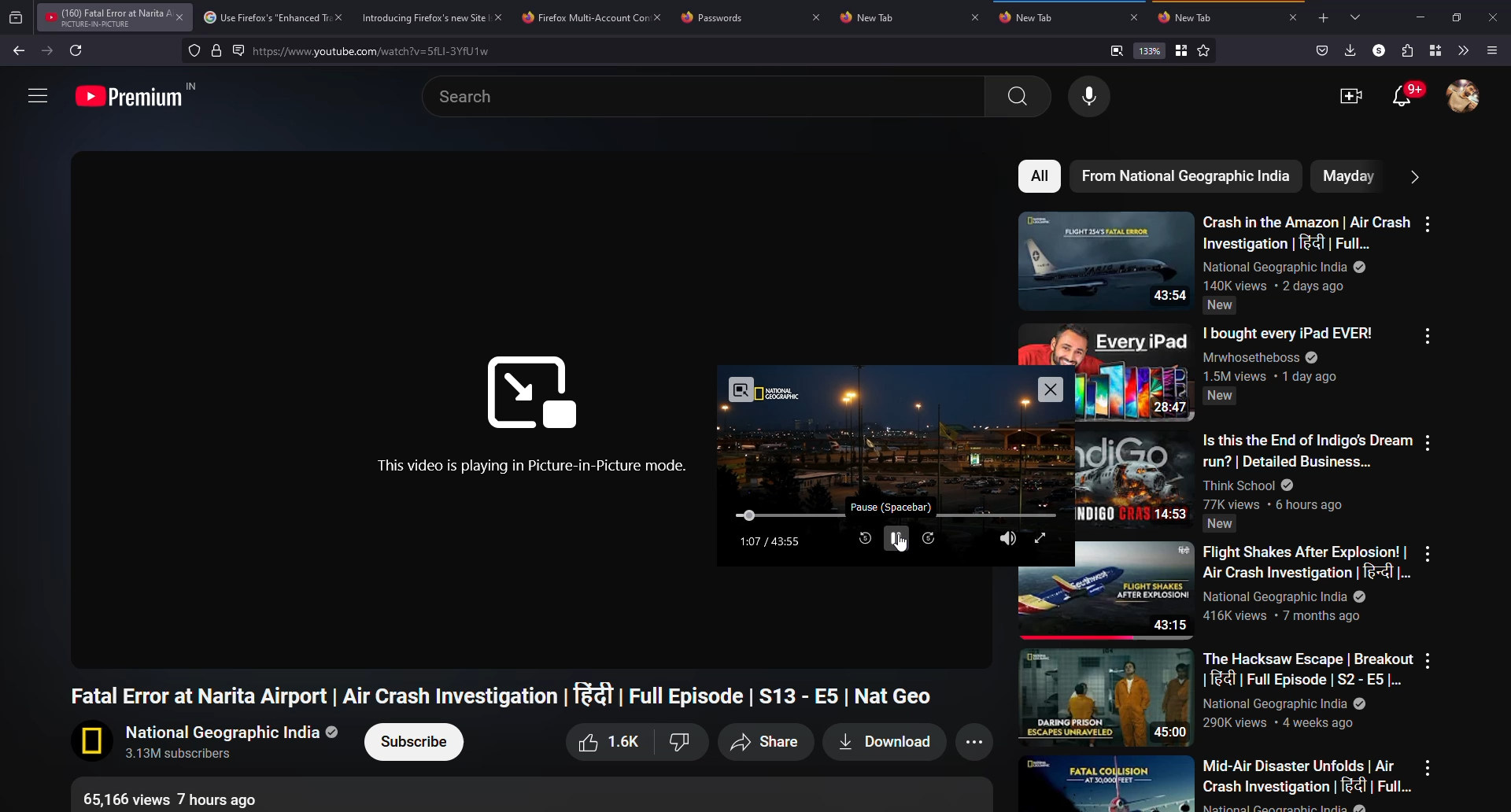 Image resolution: width=1511 pixels, height=812 pixels. What do you see at coordinates (978, 743) in the screenshot?
I see `more` at bounding box center [978, 743].